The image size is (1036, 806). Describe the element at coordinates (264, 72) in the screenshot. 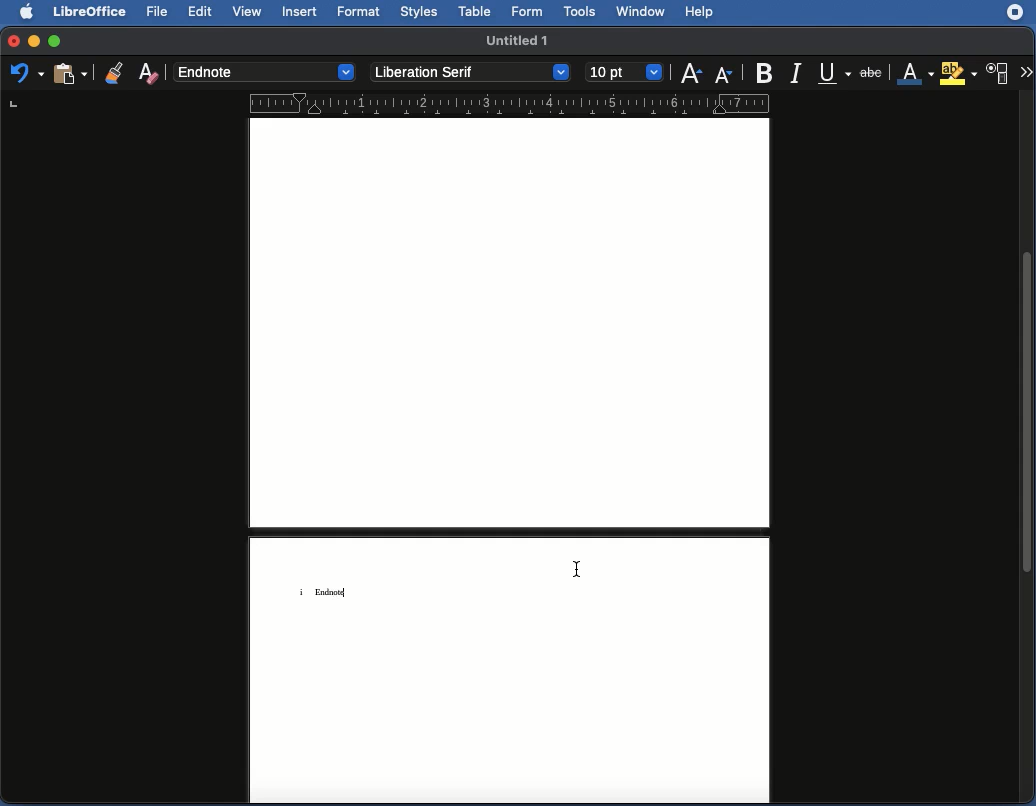

I see `Paragraph style` at that location.